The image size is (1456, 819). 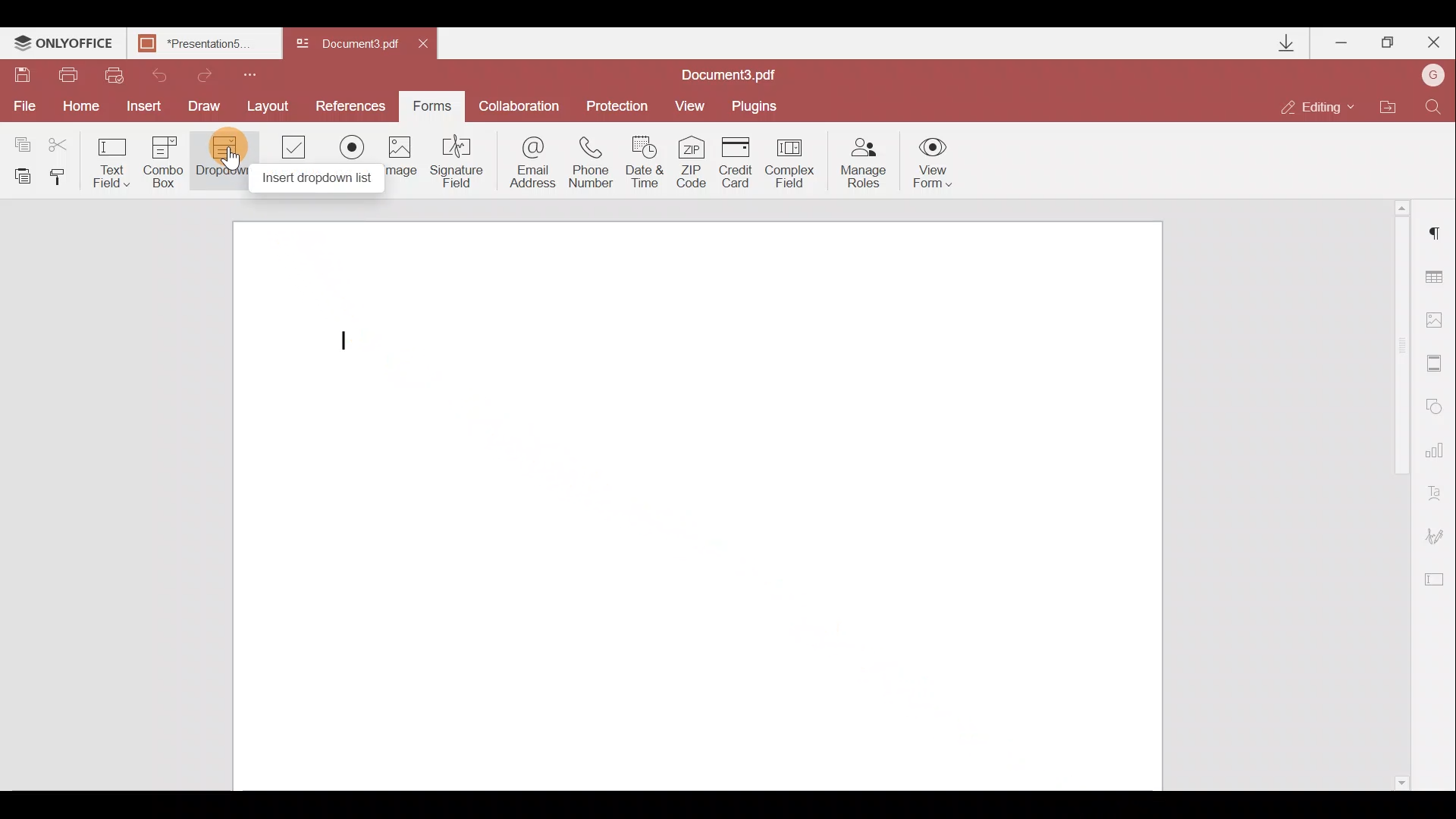 What do you see at coordinates (401, 163) in the screenshot?
I see `Image` at bounding box center [401, 163].